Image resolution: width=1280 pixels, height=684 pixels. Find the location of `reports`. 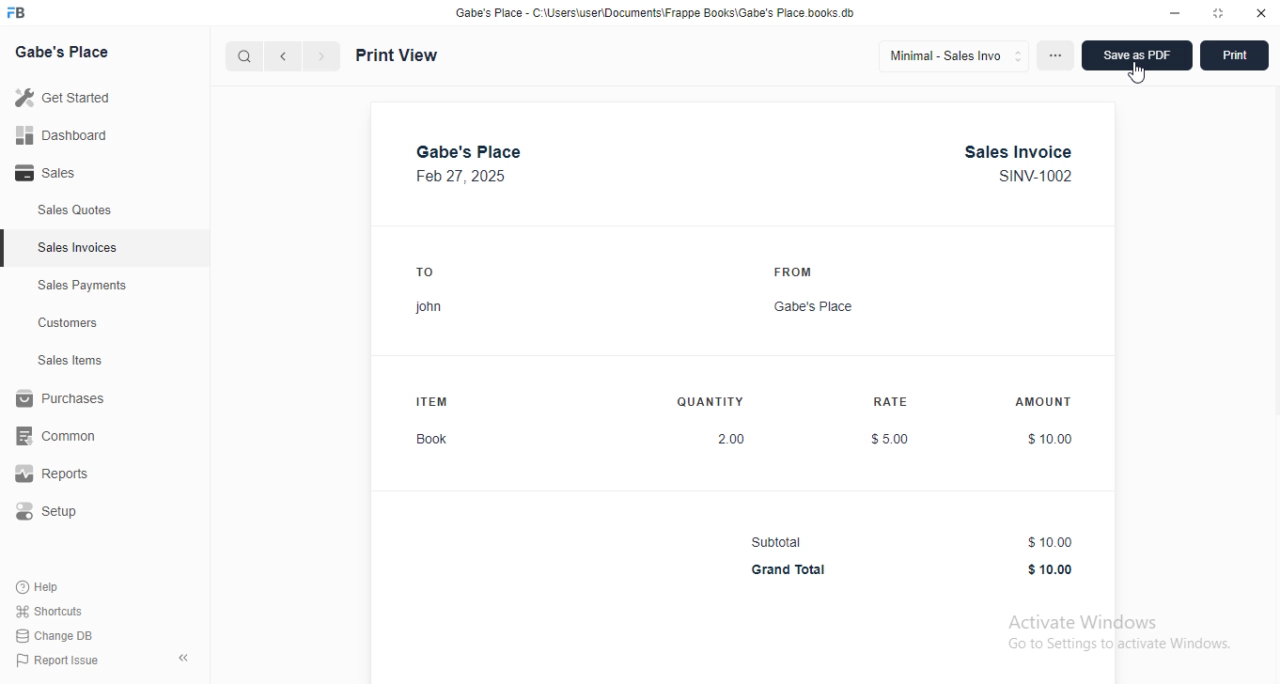

reports is located at coordinates (51, 474).